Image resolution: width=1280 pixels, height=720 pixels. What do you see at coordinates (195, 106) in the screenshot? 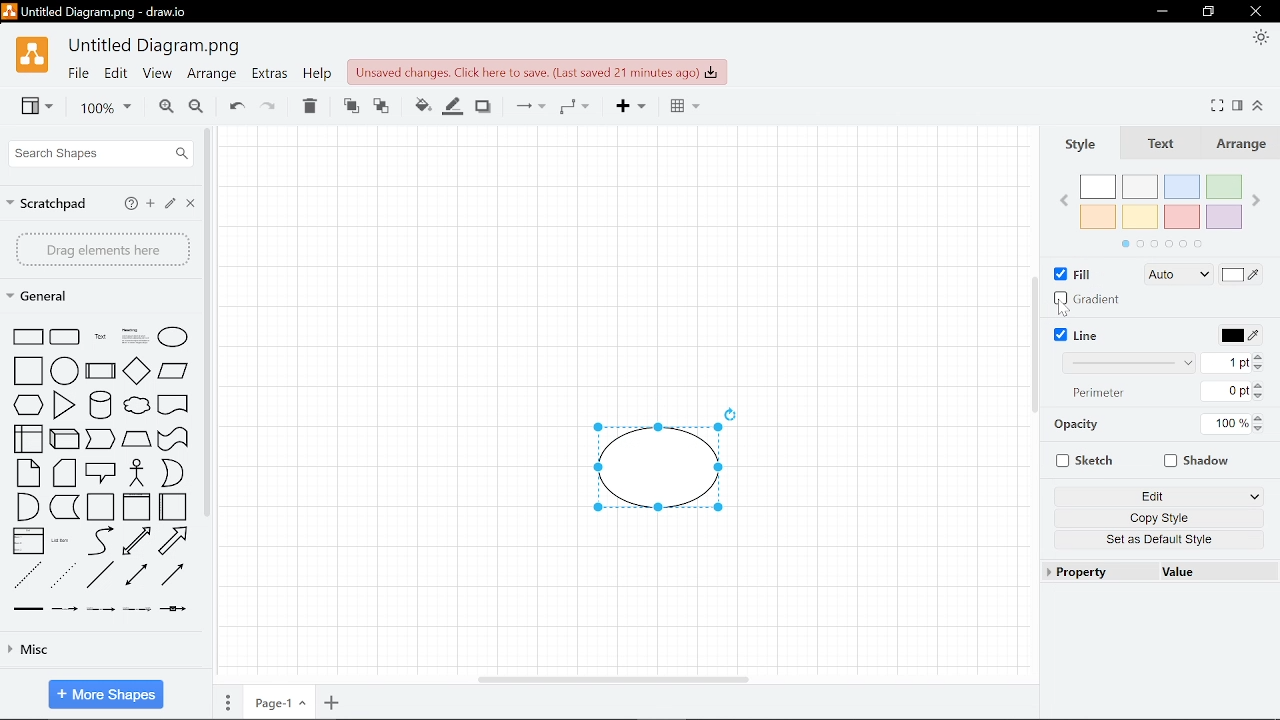
I see `Zoom out` at bounding box center [195, 106].